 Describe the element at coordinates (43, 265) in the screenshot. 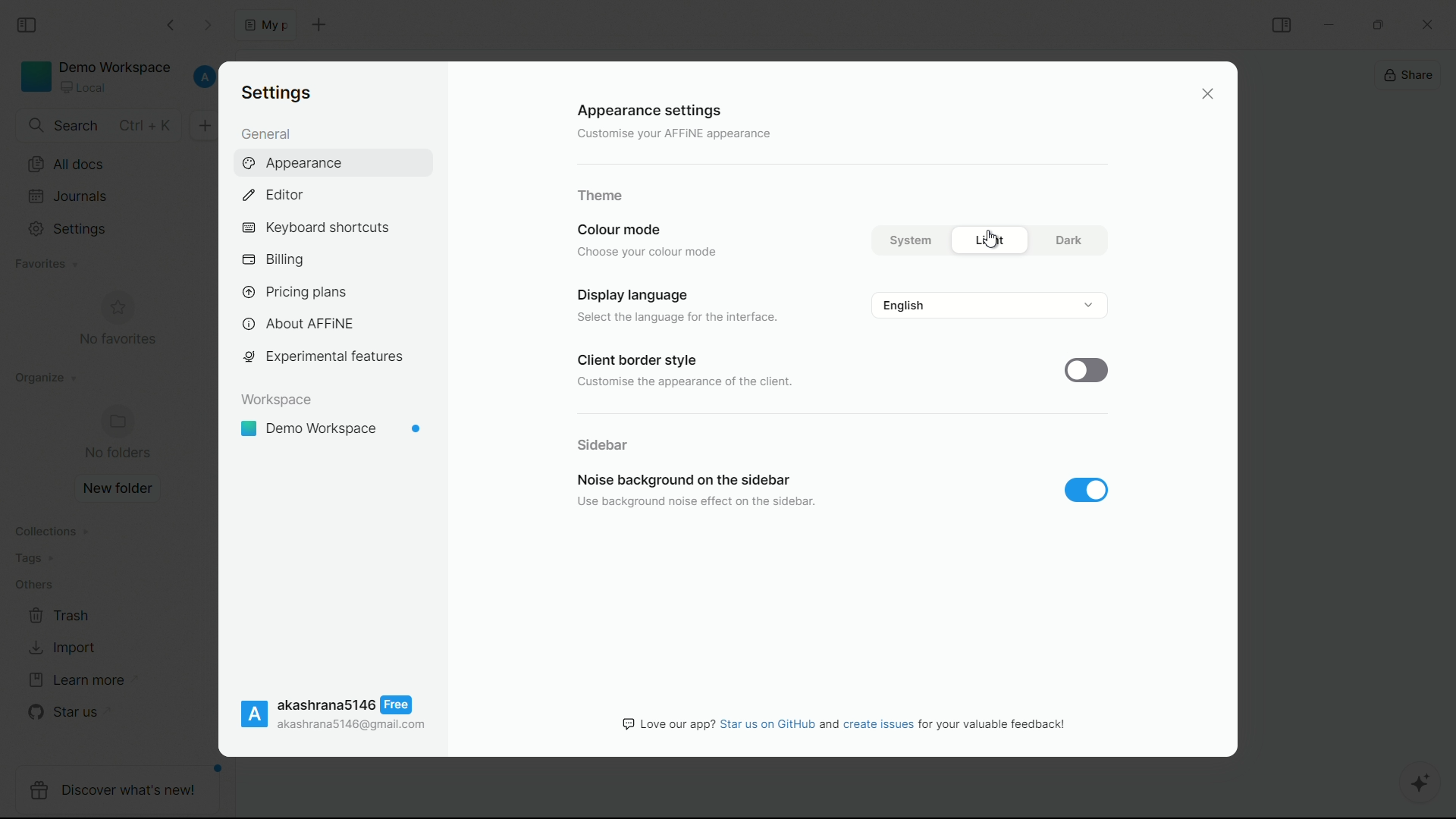

I see `favorites` at that location.